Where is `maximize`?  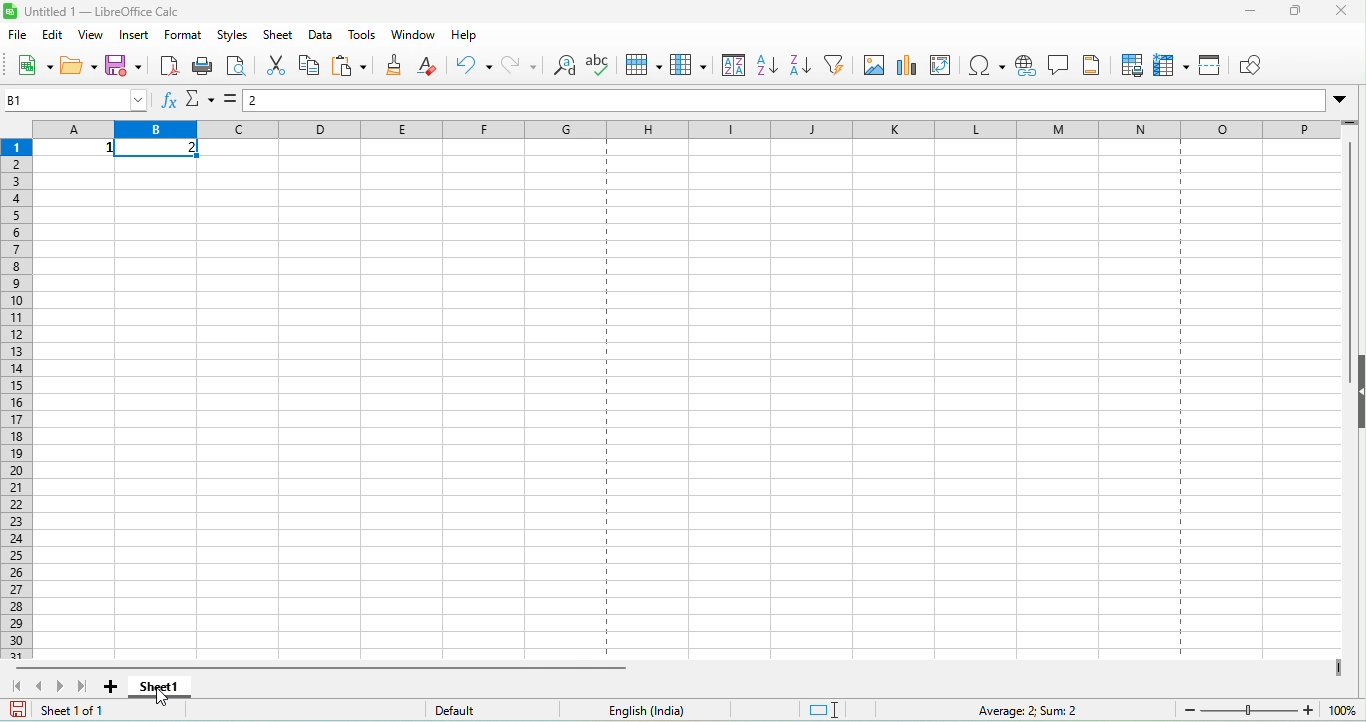 maximize is located at coordinates (1296, 13).